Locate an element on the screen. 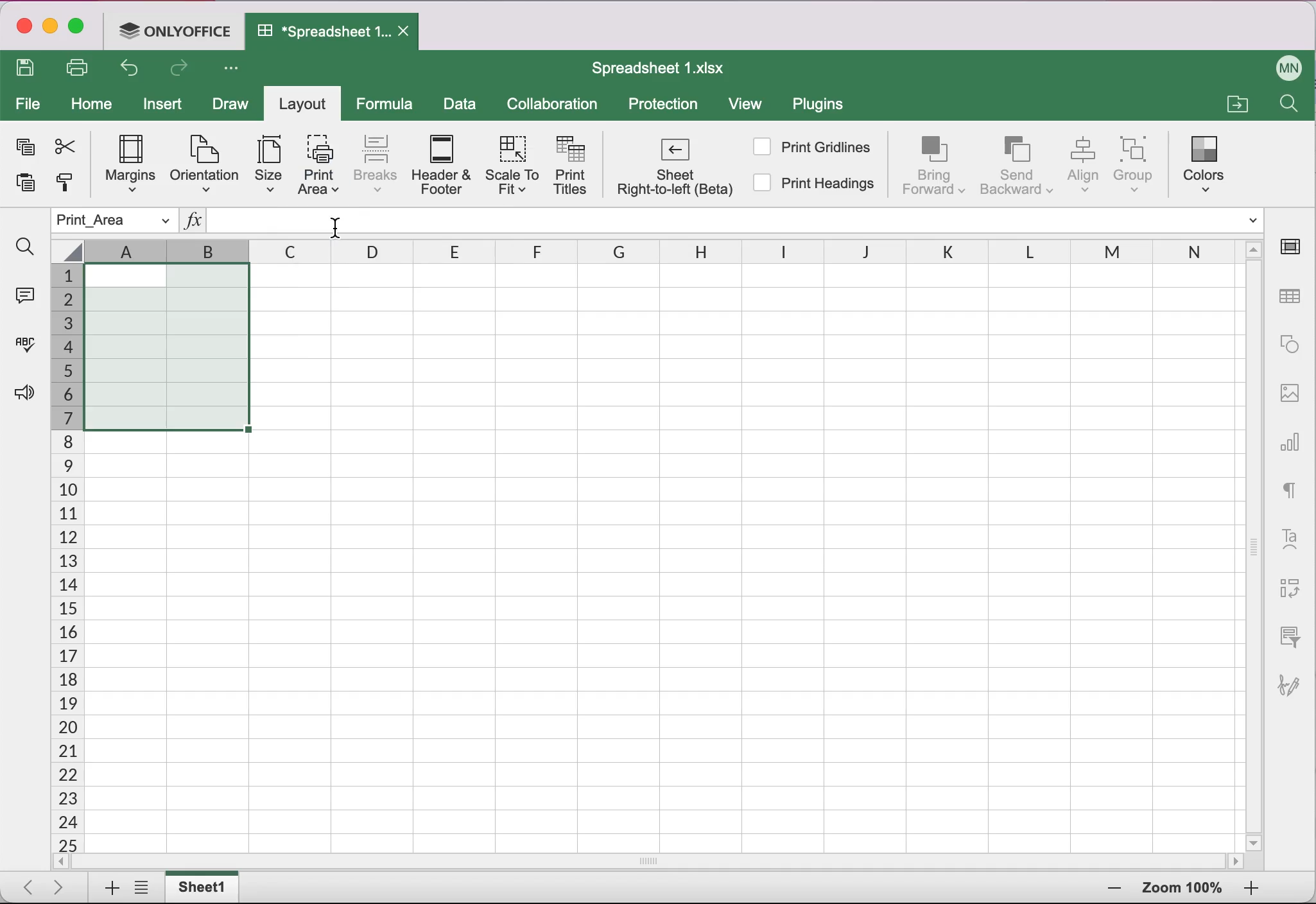 Image resolution: width=1316 pixels, height=904 pixels. Send backward is located at coordinates (1017, 164).